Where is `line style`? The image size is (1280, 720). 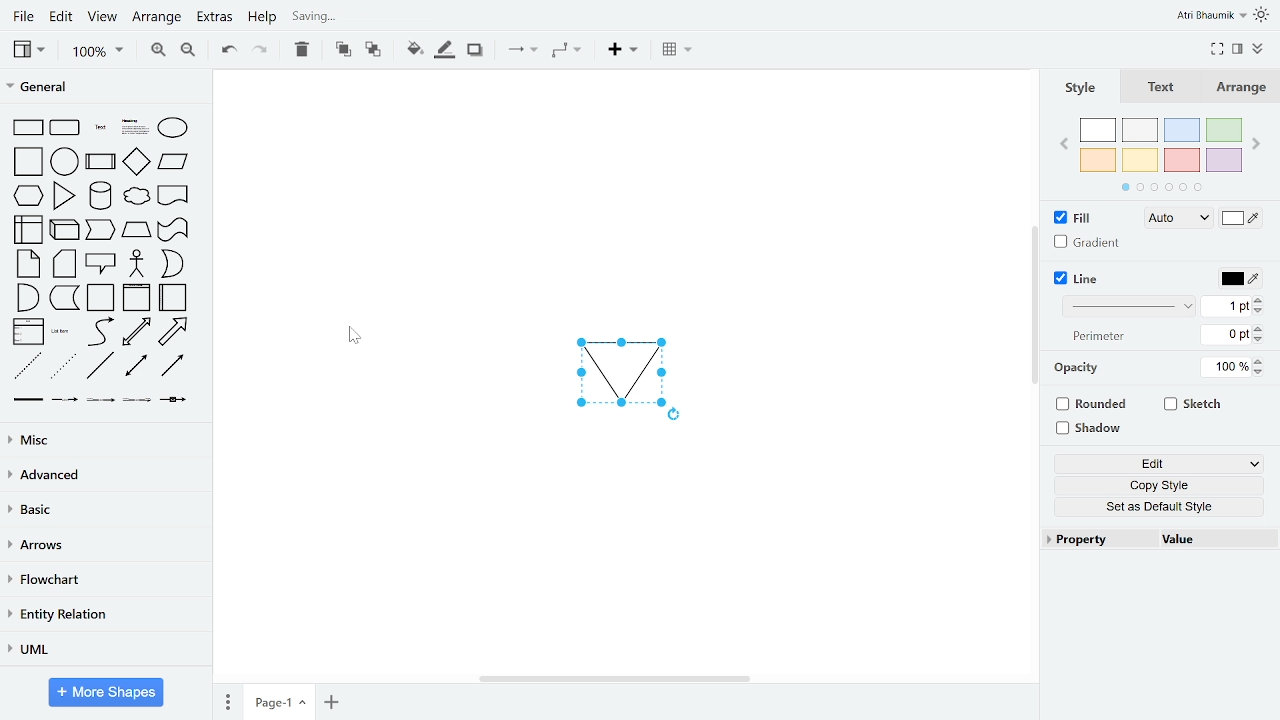 line style is located at coordinates (1129, 307).